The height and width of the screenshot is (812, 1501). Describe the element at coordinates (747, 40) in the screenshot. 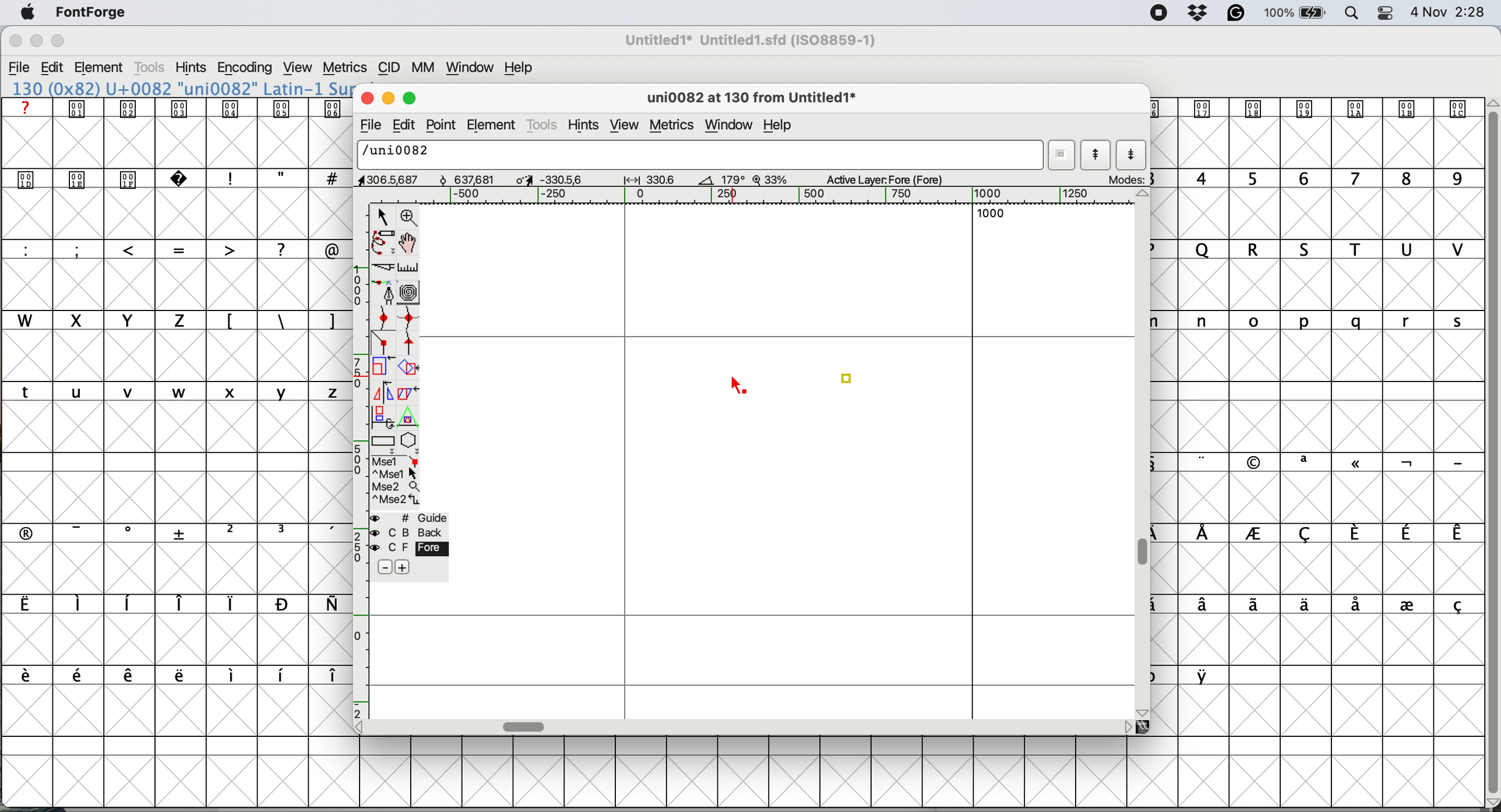

I see `File name` at that location.